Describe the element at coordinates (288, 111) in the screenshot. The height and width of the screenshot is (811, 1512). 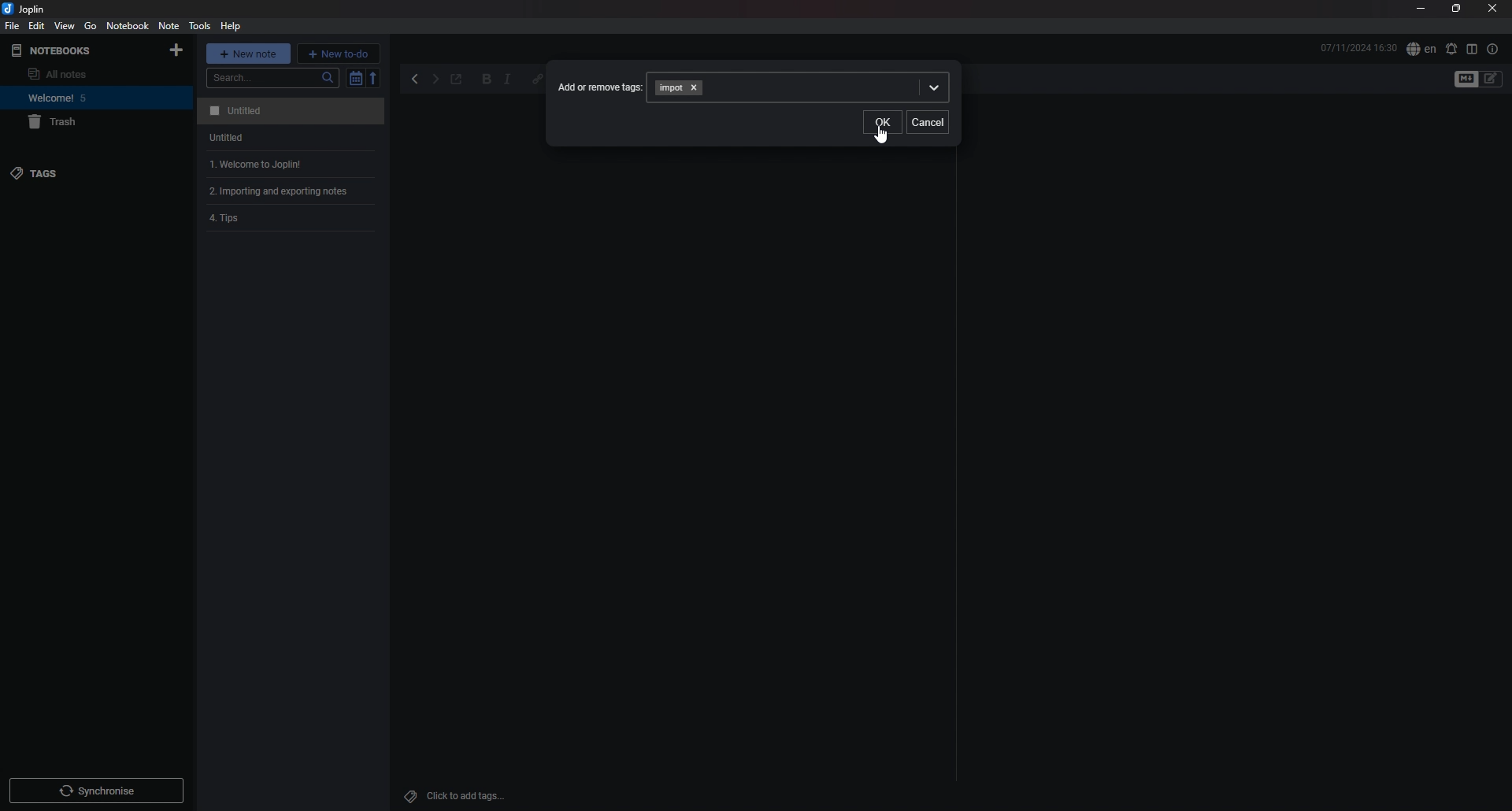
I see `note` at that location.